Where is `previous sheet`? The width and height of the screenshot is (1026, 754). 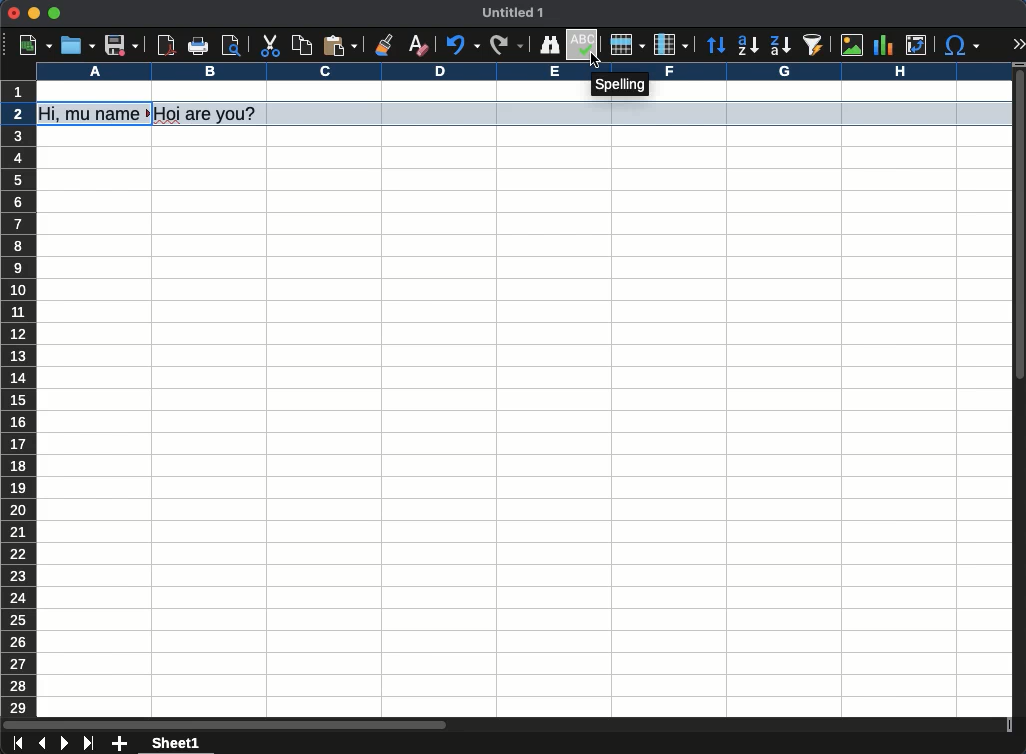
previous sheet is located at coordinates (44, 744).